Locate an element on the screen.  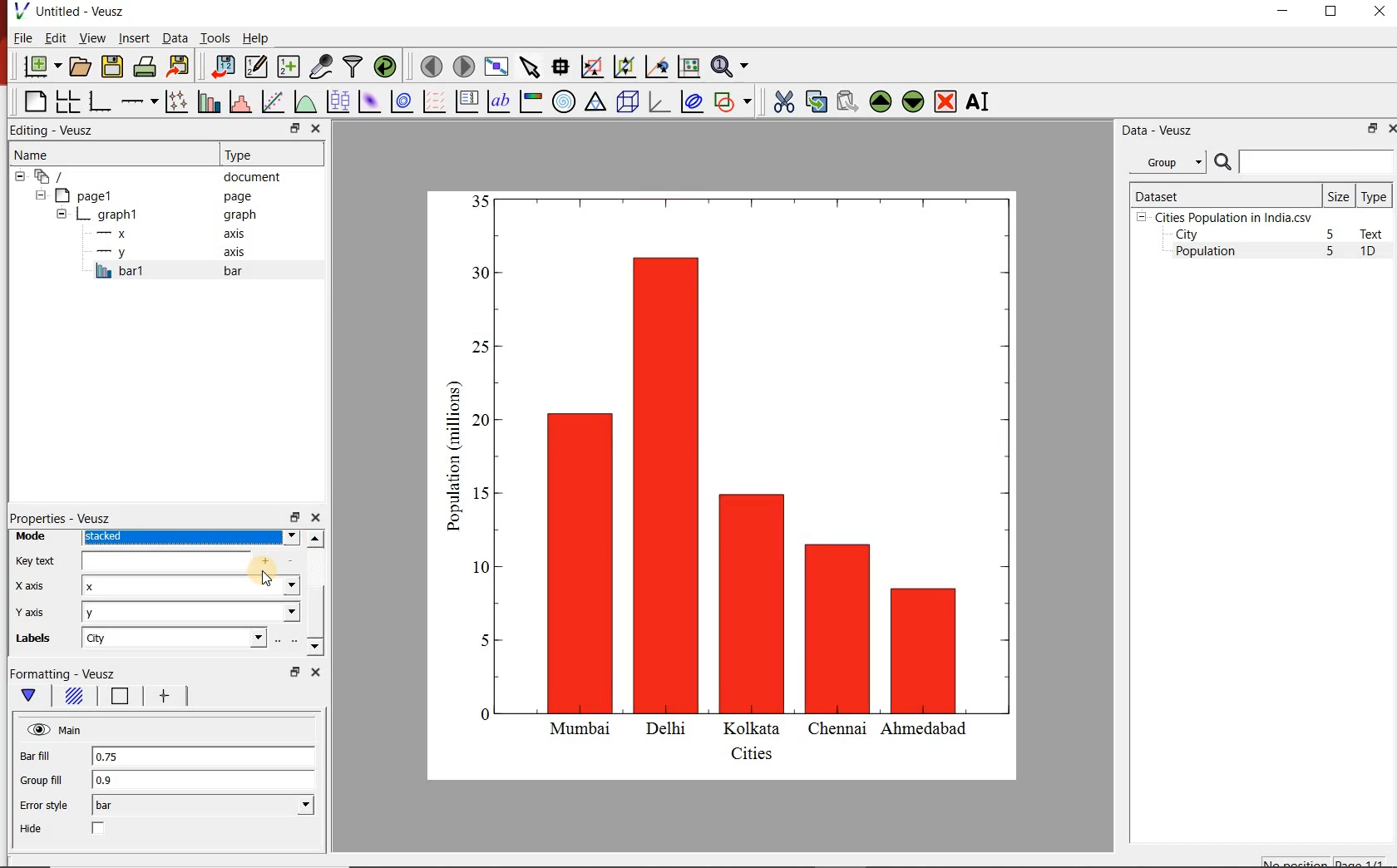
Text is located at coordinates (1375, 234).